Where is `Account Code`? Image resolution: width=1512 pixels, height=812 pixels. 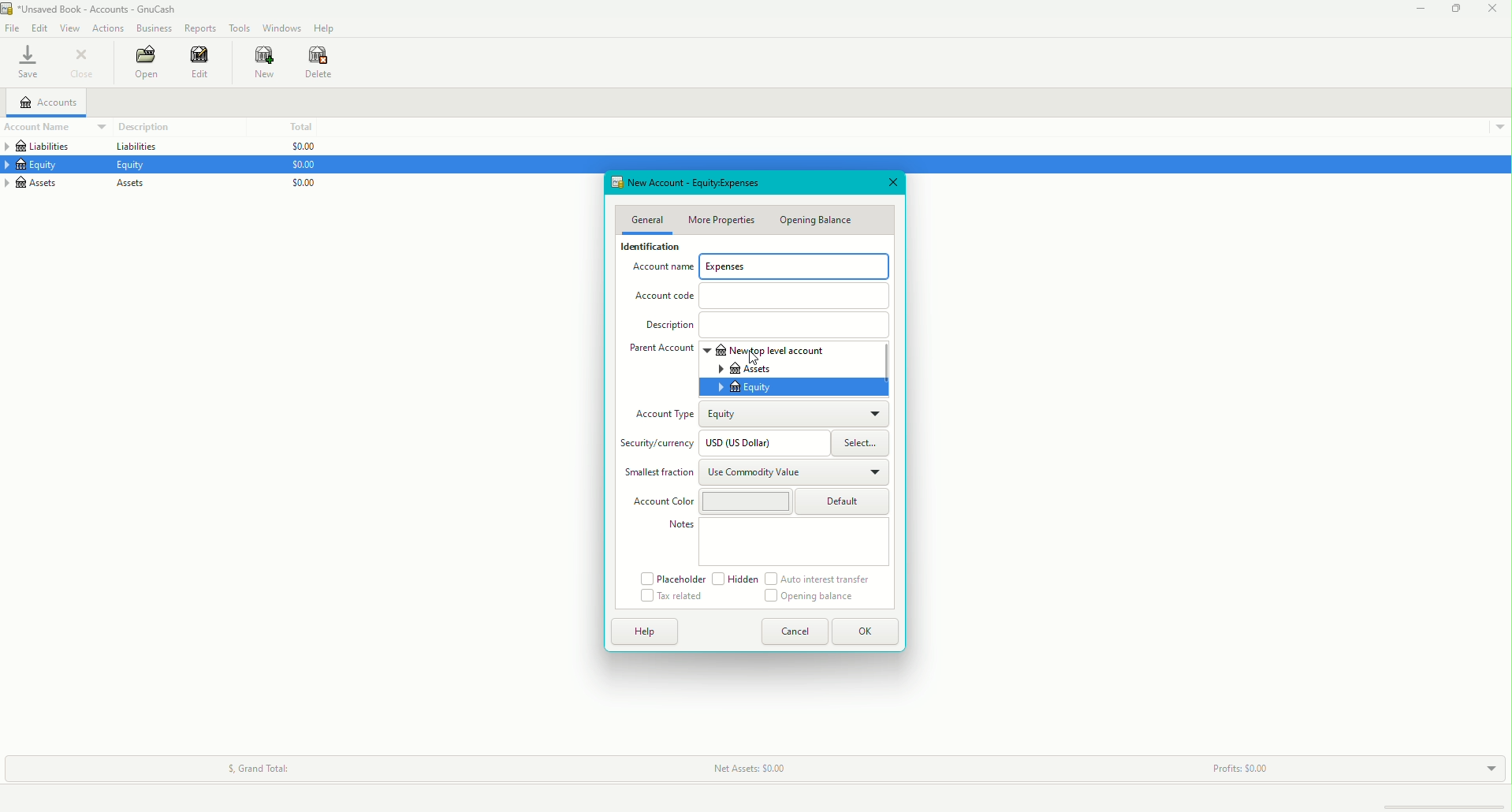
Account Code is located at coordinates (763, 295).